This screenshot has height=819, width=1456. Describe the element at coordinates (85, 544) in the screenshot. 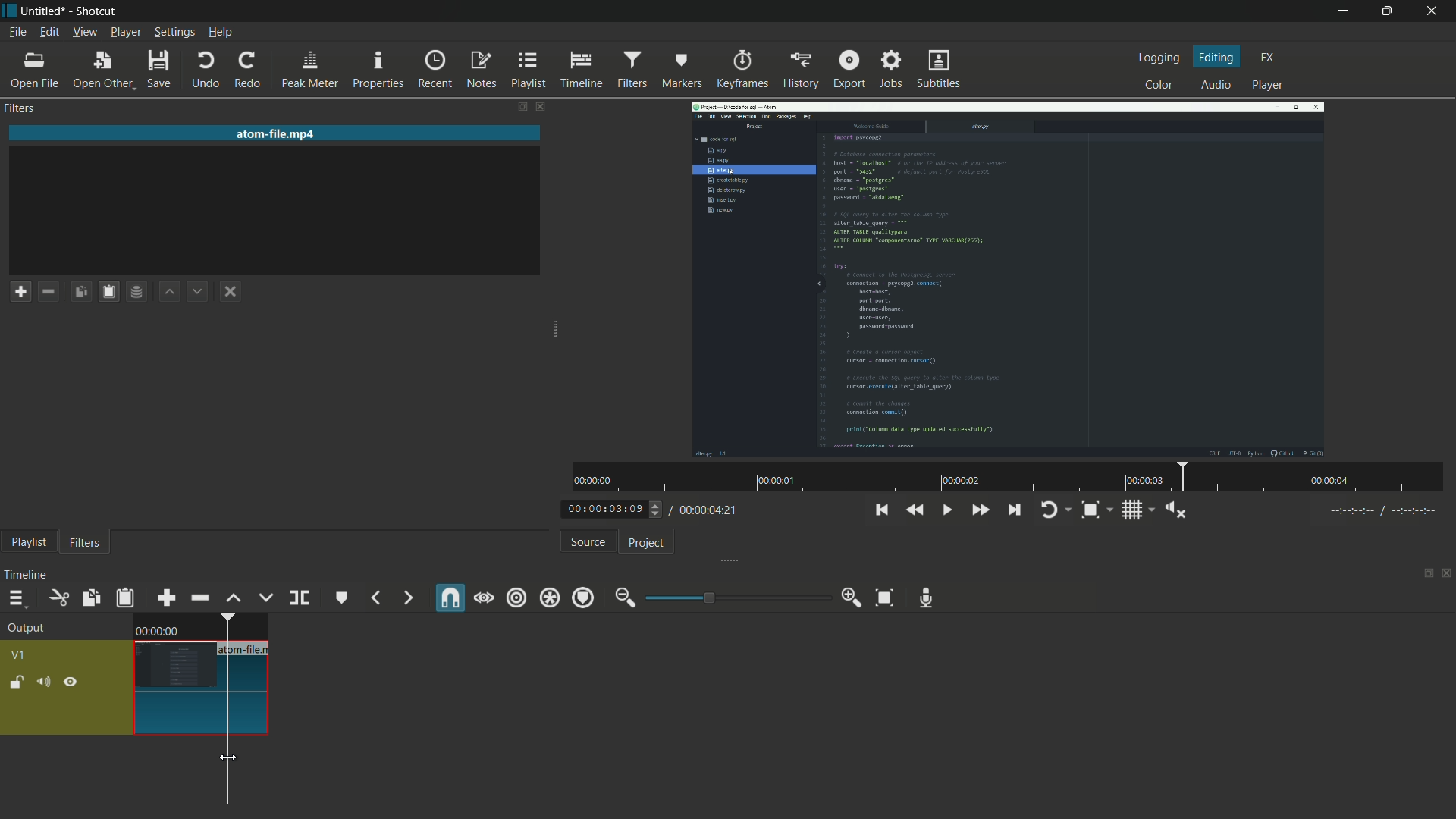

I see `filters` at that location.